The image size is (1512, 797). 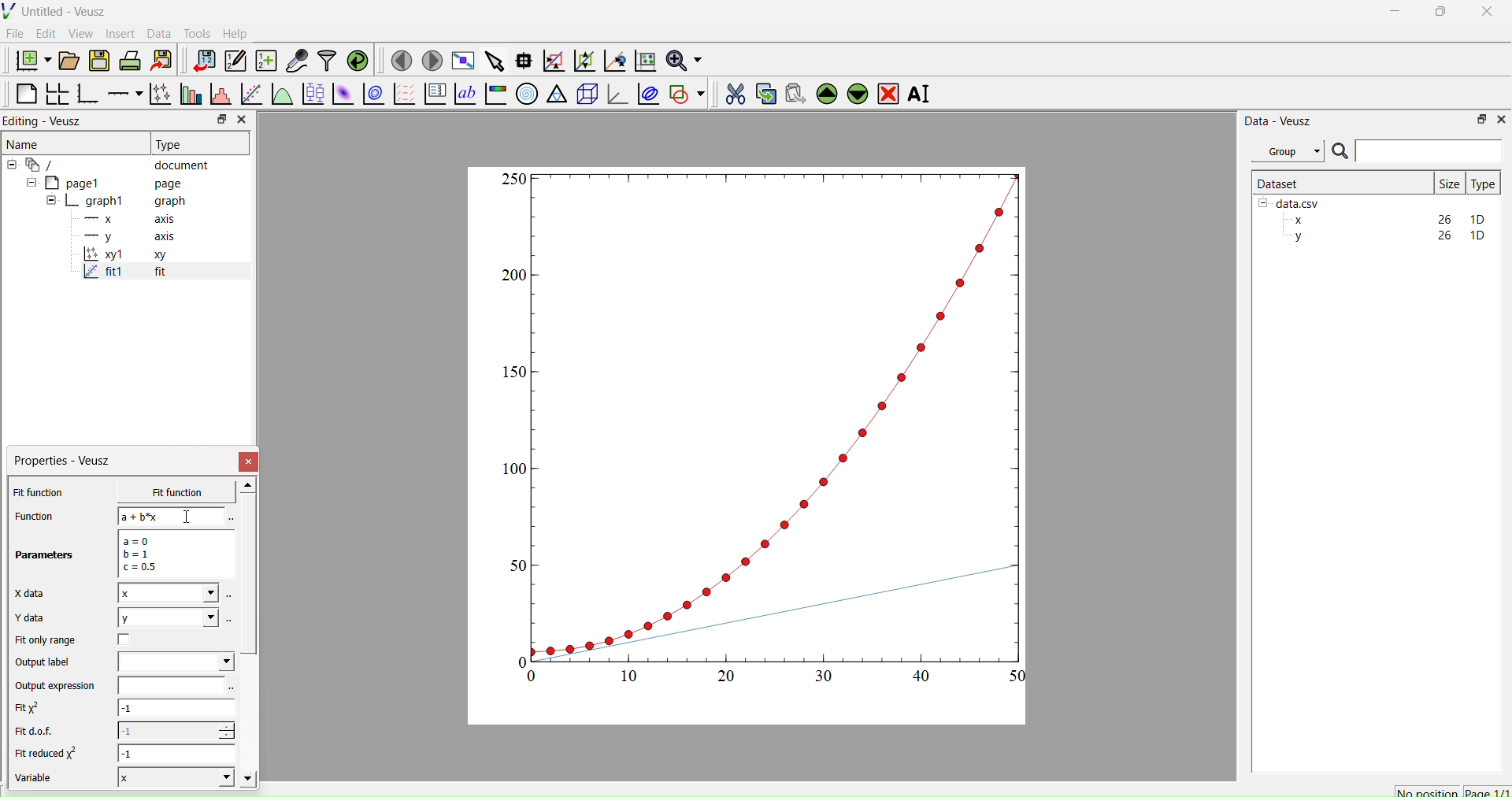 I want to click on Help, so click(x=233, y=33).